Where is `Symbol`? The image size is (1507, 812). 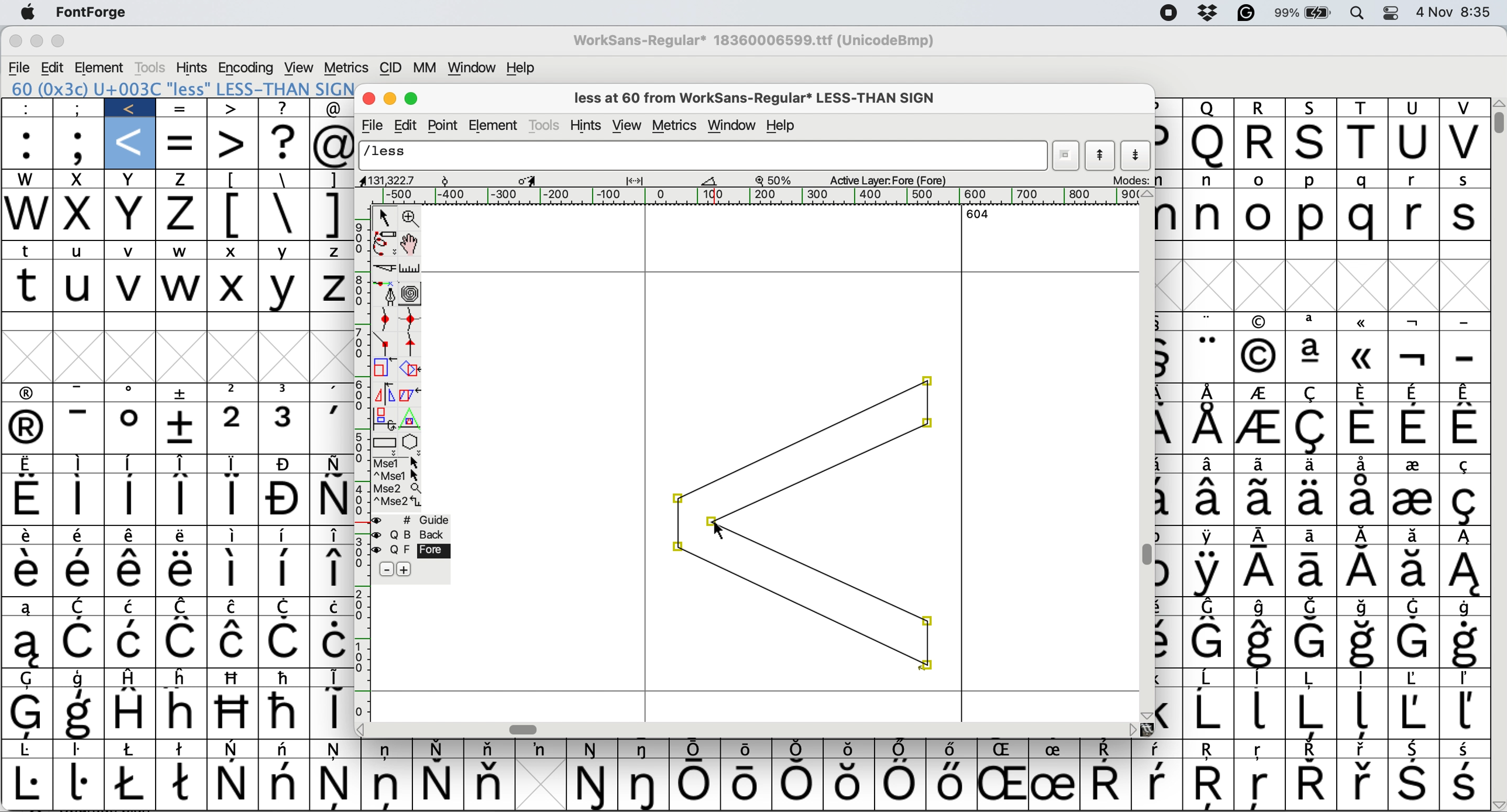 Symbol is located at coordinates (285, 641).